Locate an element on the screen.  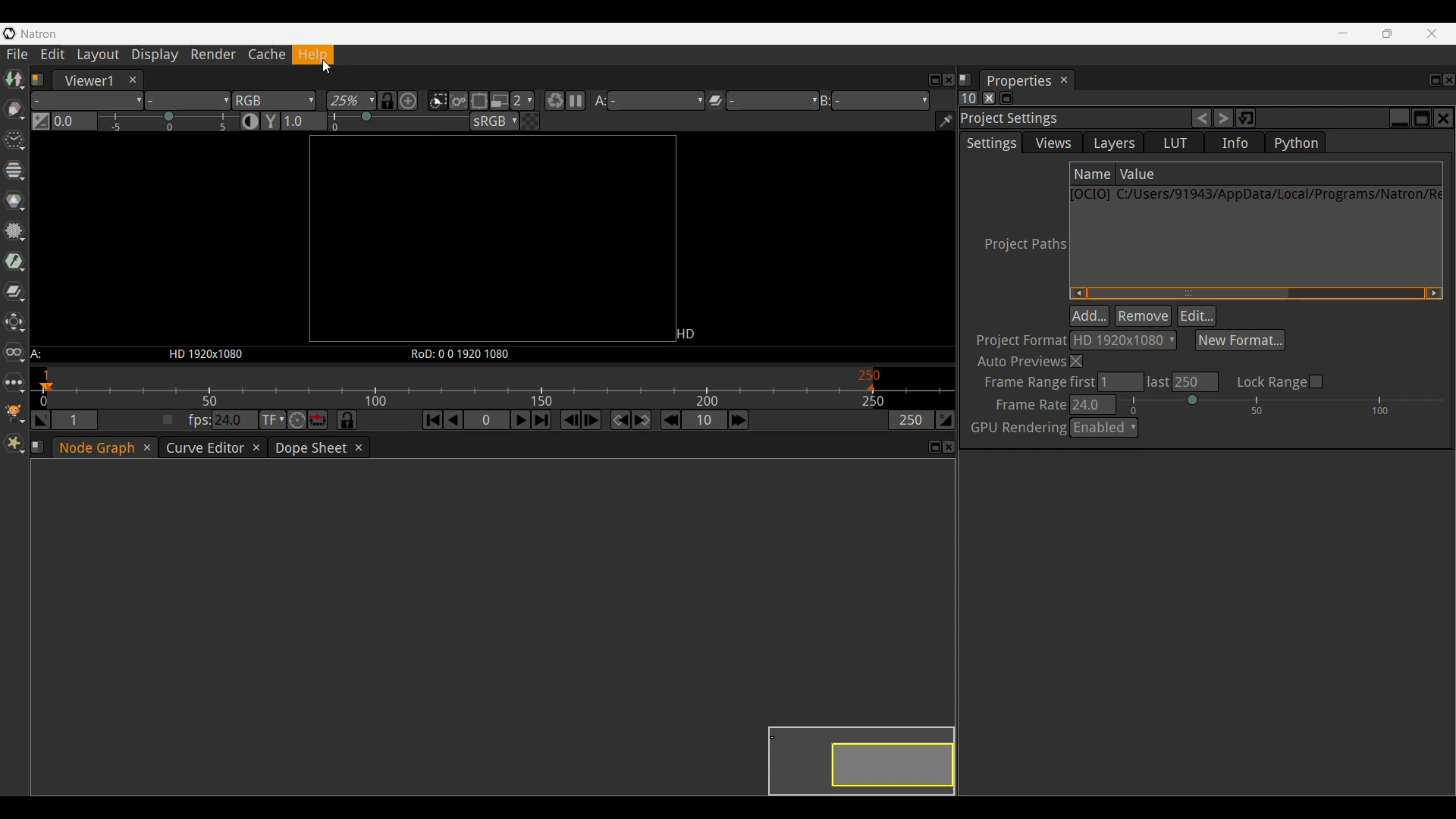
Help menu is located at coordinates (318, 55).